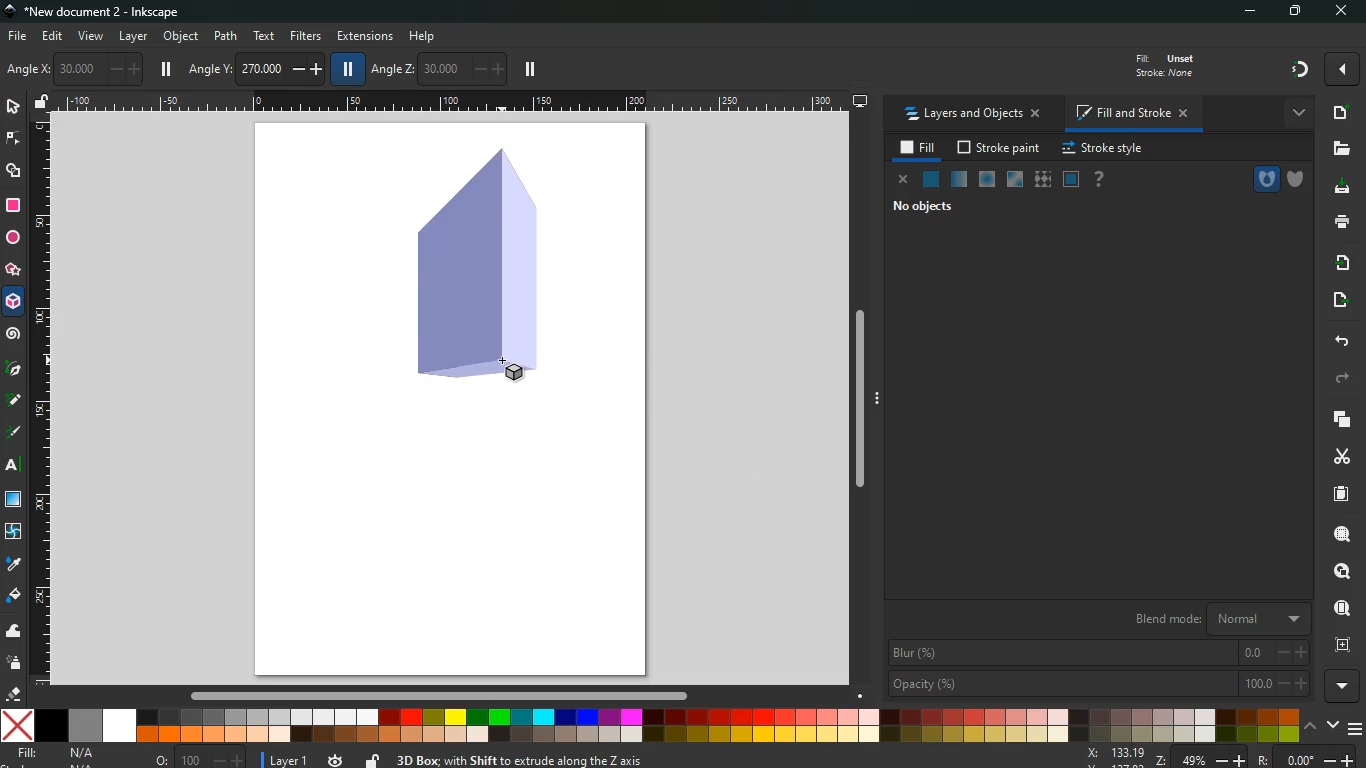 This screenshot has width=1366, height=768. Describe the element at coordinates (1097, 682) in the screenshot. I see `opacity` at that location.